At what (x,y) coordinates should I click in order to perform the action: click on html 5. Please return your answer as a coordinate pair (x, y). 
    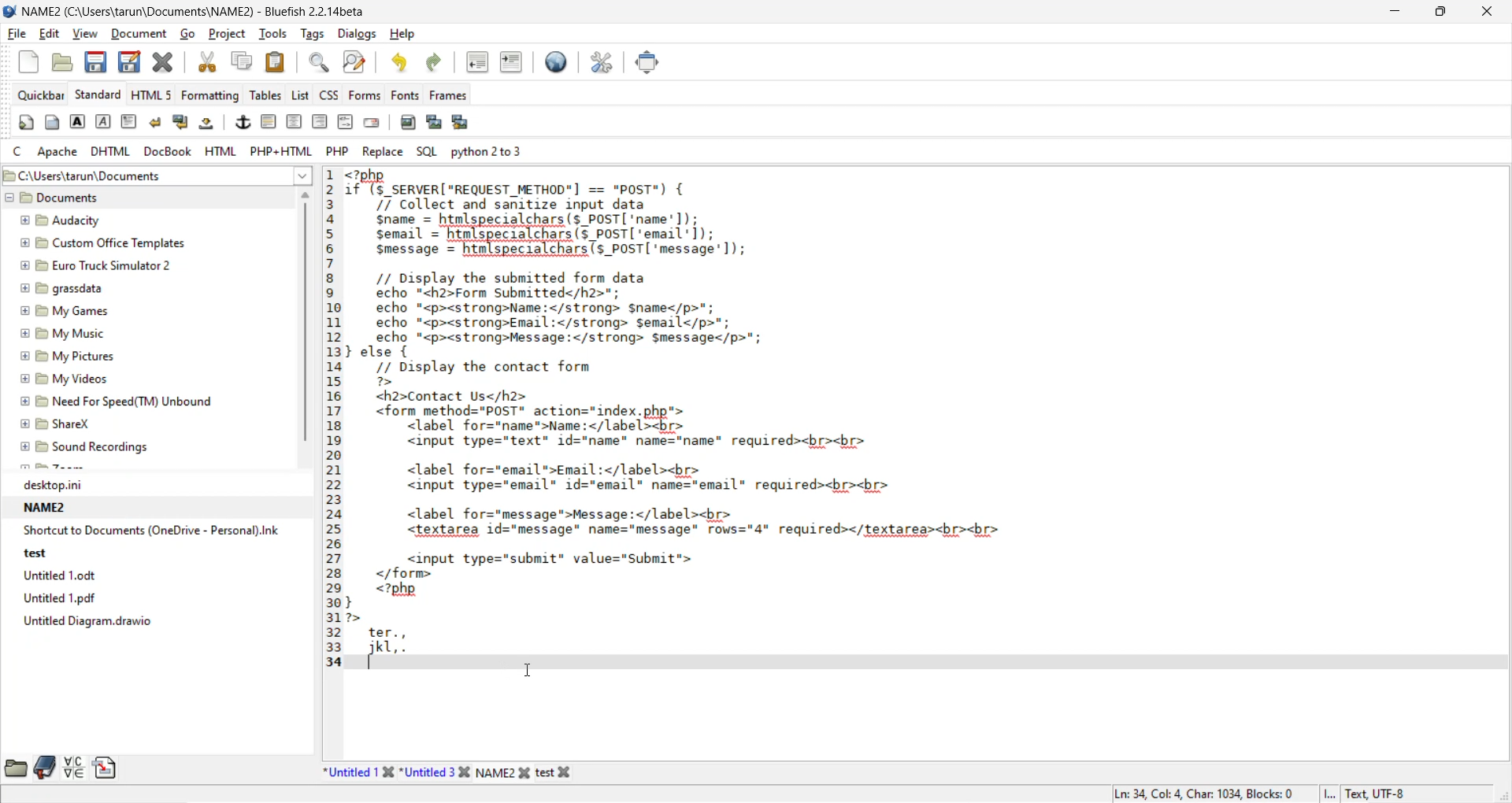
    Looking at the image, I should click on (154, 94).